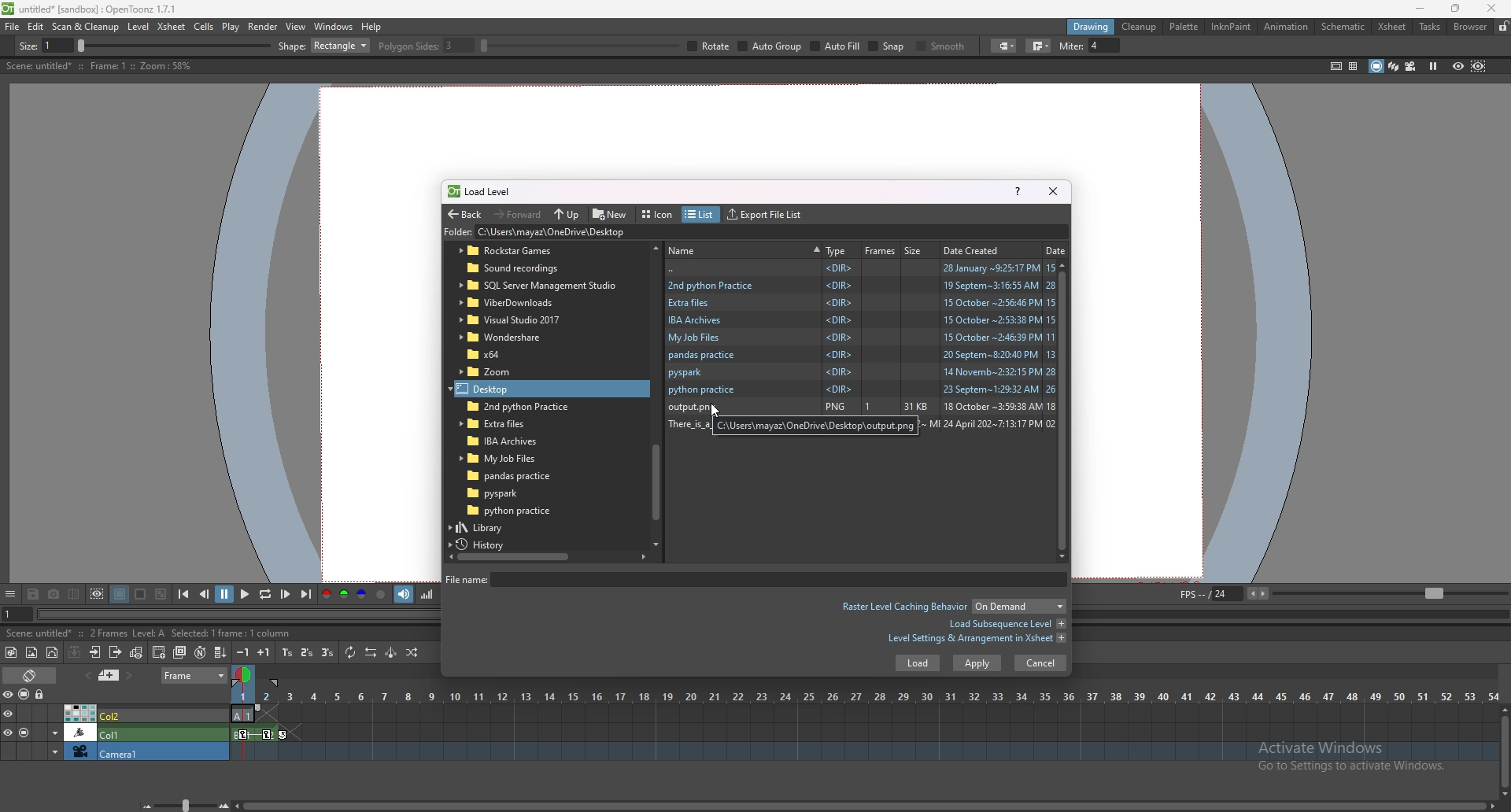  What do you see at coordinates (860, 338) in the screenshot?
I see `folder` at bounding box center [860, 338].